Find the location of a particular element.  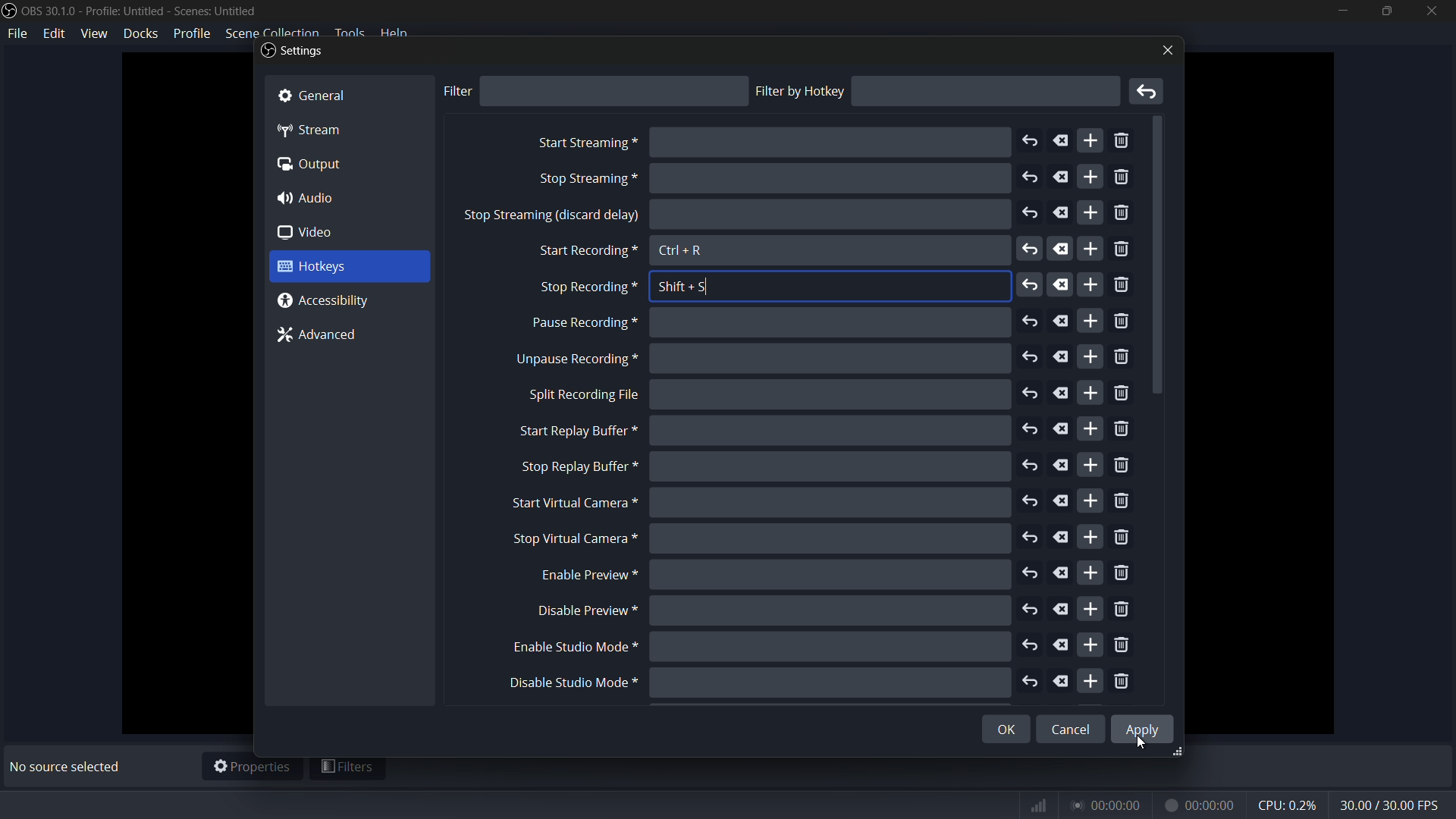

remove is located at coordinates (1123, 466).